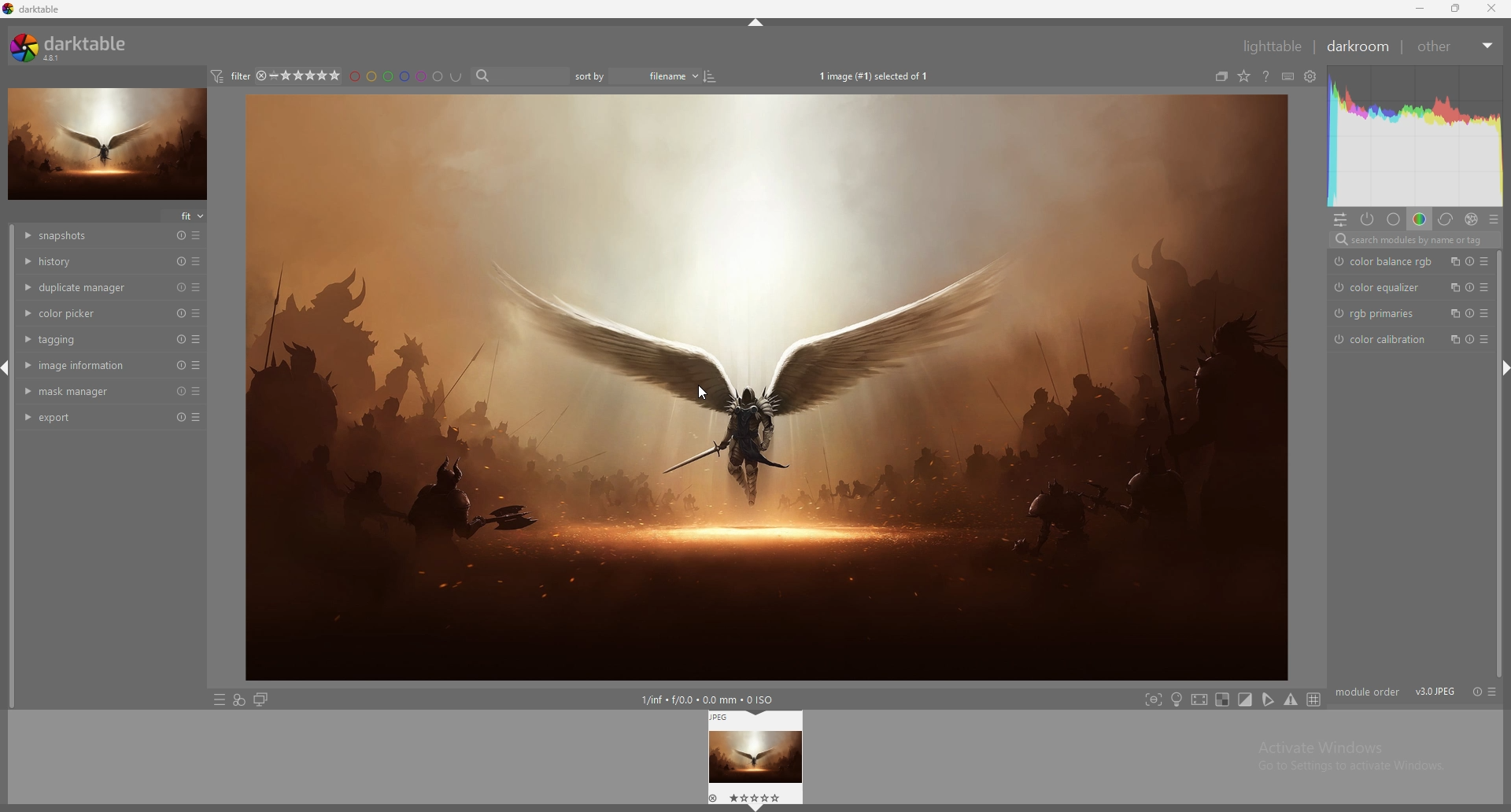 The height and width of the screenshot is (812, 1511). What do you see at coordinates (1381, 288) in the screenshot?
I see `color equalizer` at bounding box center [1381, 288].